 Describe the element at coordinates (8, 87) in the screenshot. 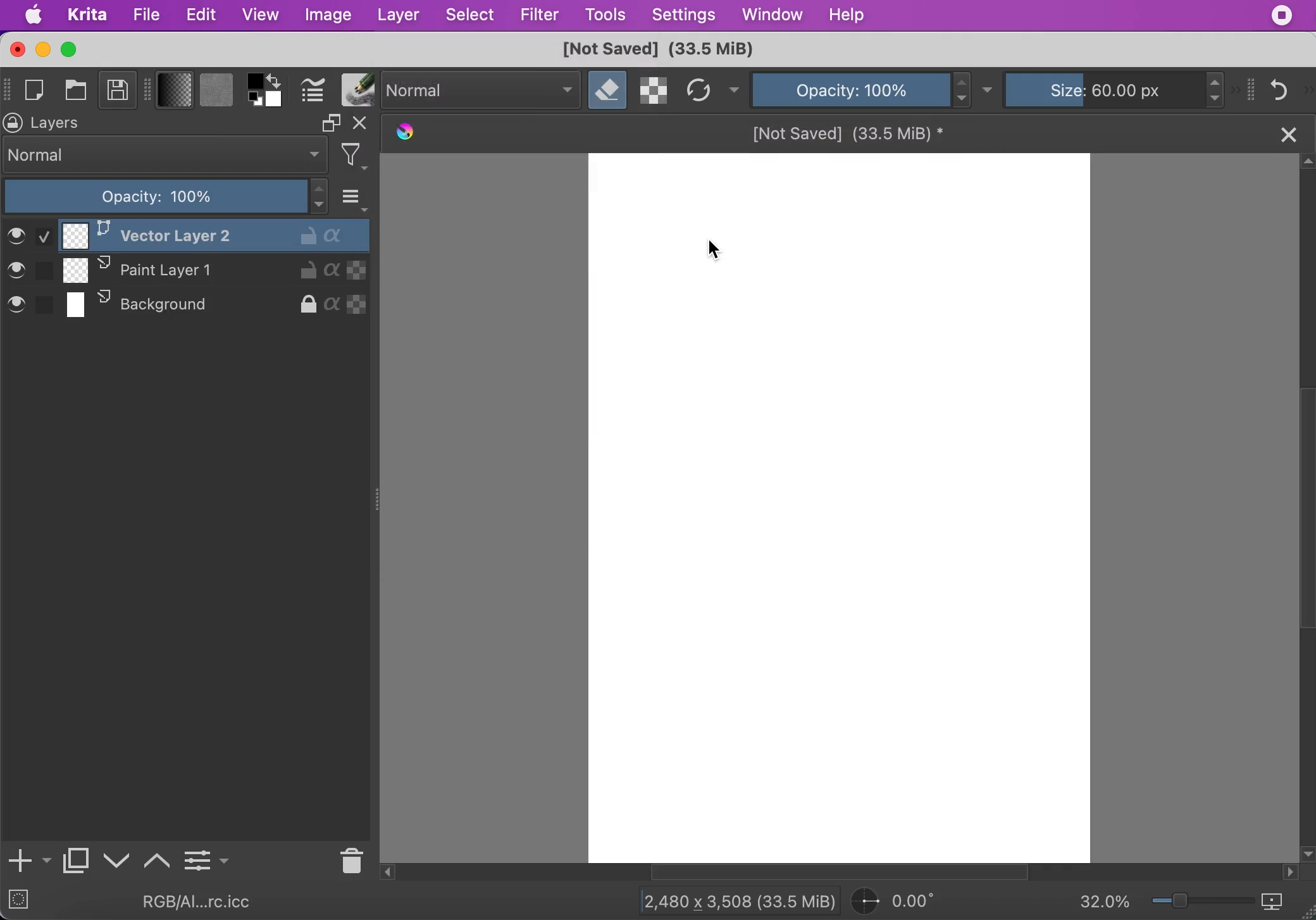

I see `show/hide ` at that location.